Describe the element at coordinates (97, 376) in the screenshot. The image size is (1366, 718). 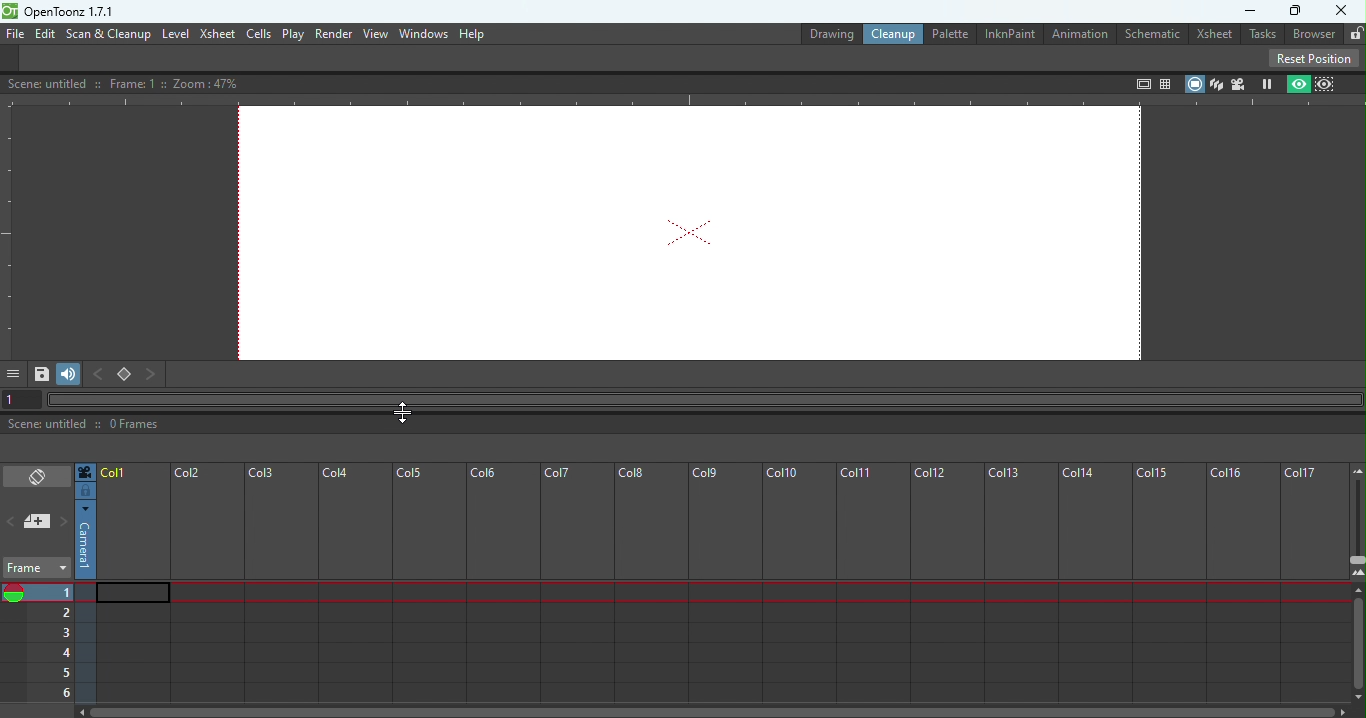
I see `Previous key` at that location.